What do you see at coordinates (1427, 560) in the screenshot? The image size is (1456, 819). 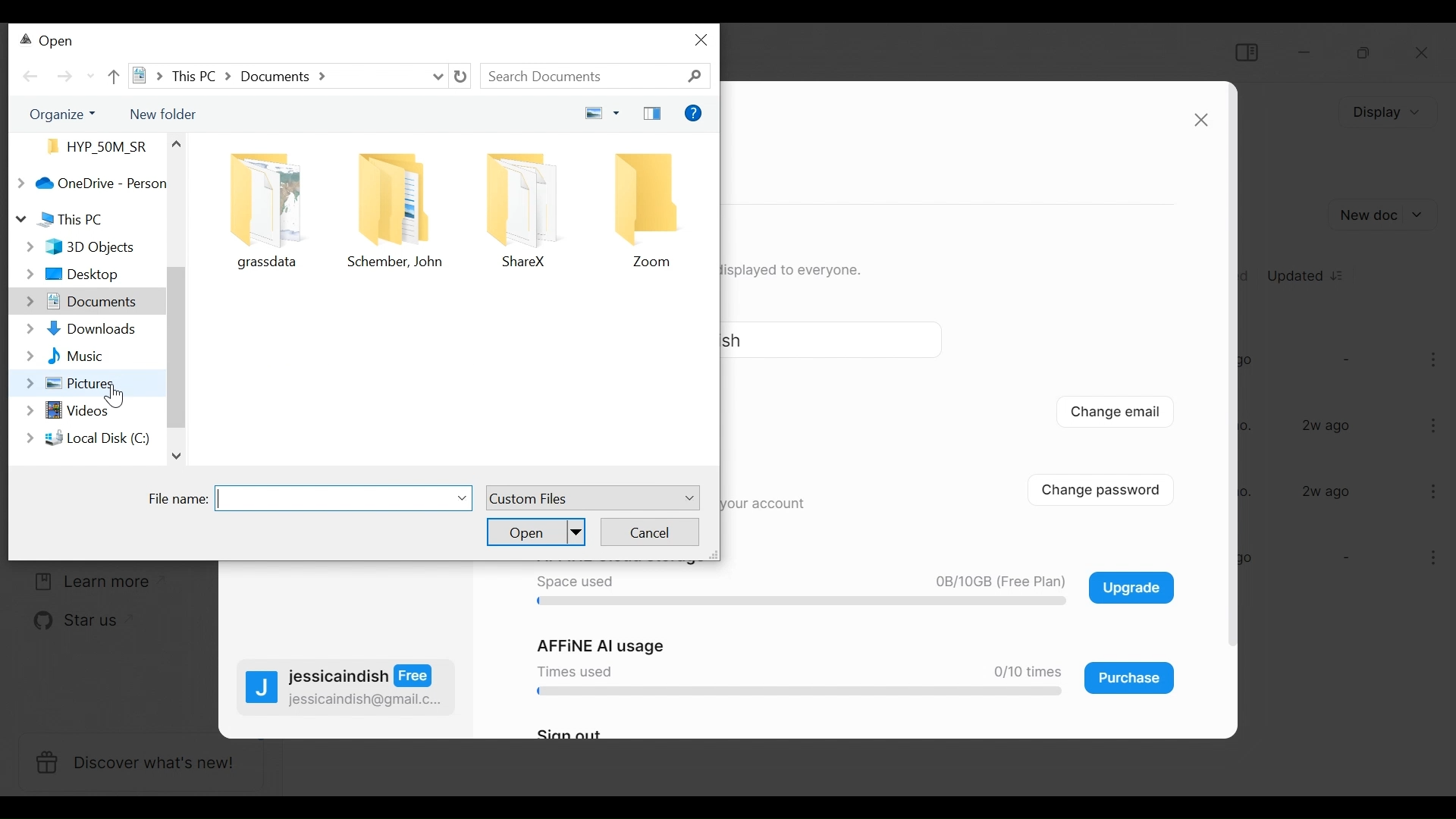 I see `more options` at bounding box center [1427, 560].